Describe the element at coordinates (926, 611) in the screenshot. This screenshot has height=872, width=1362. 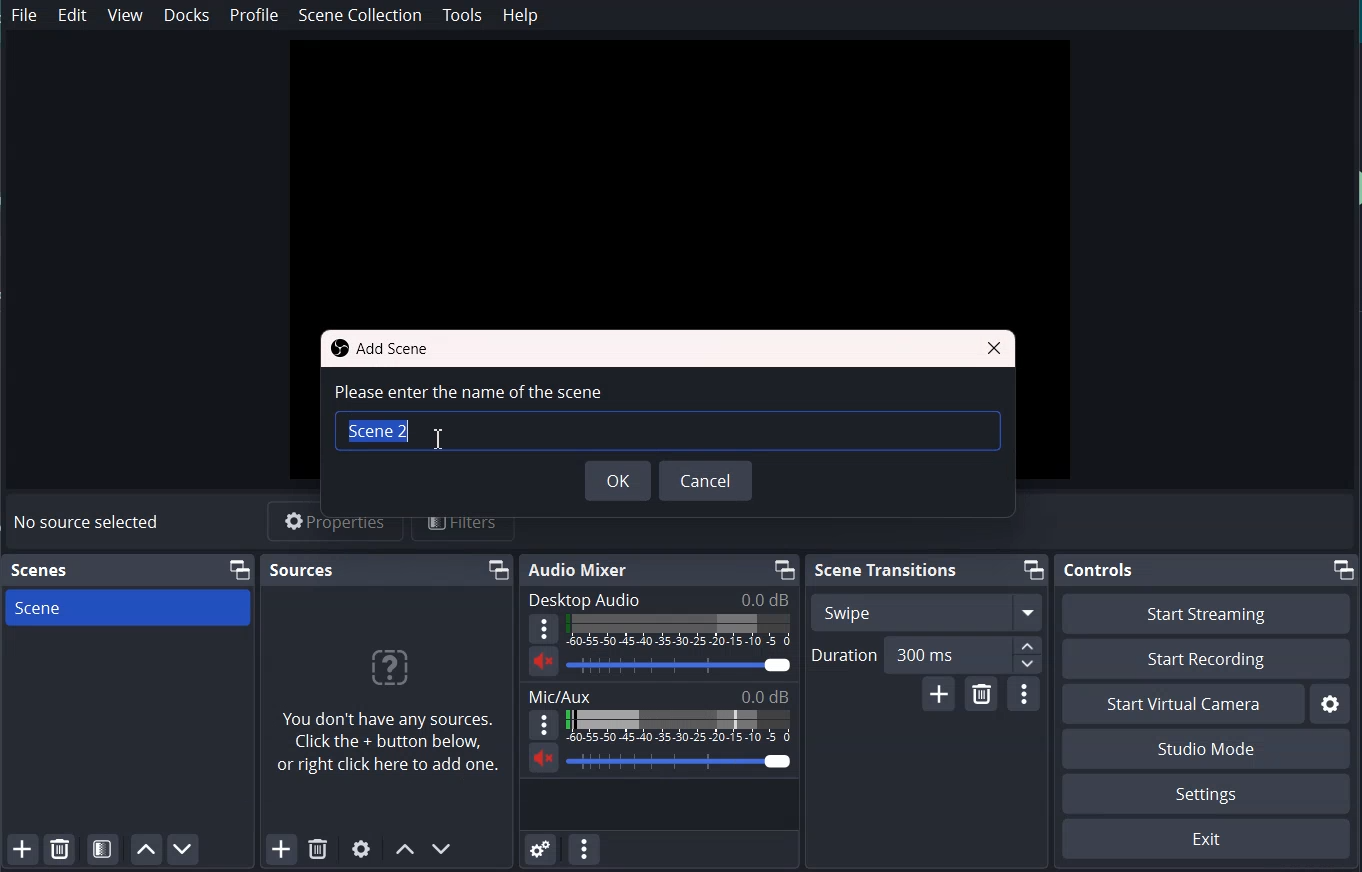
I see `Swipe` at that location.